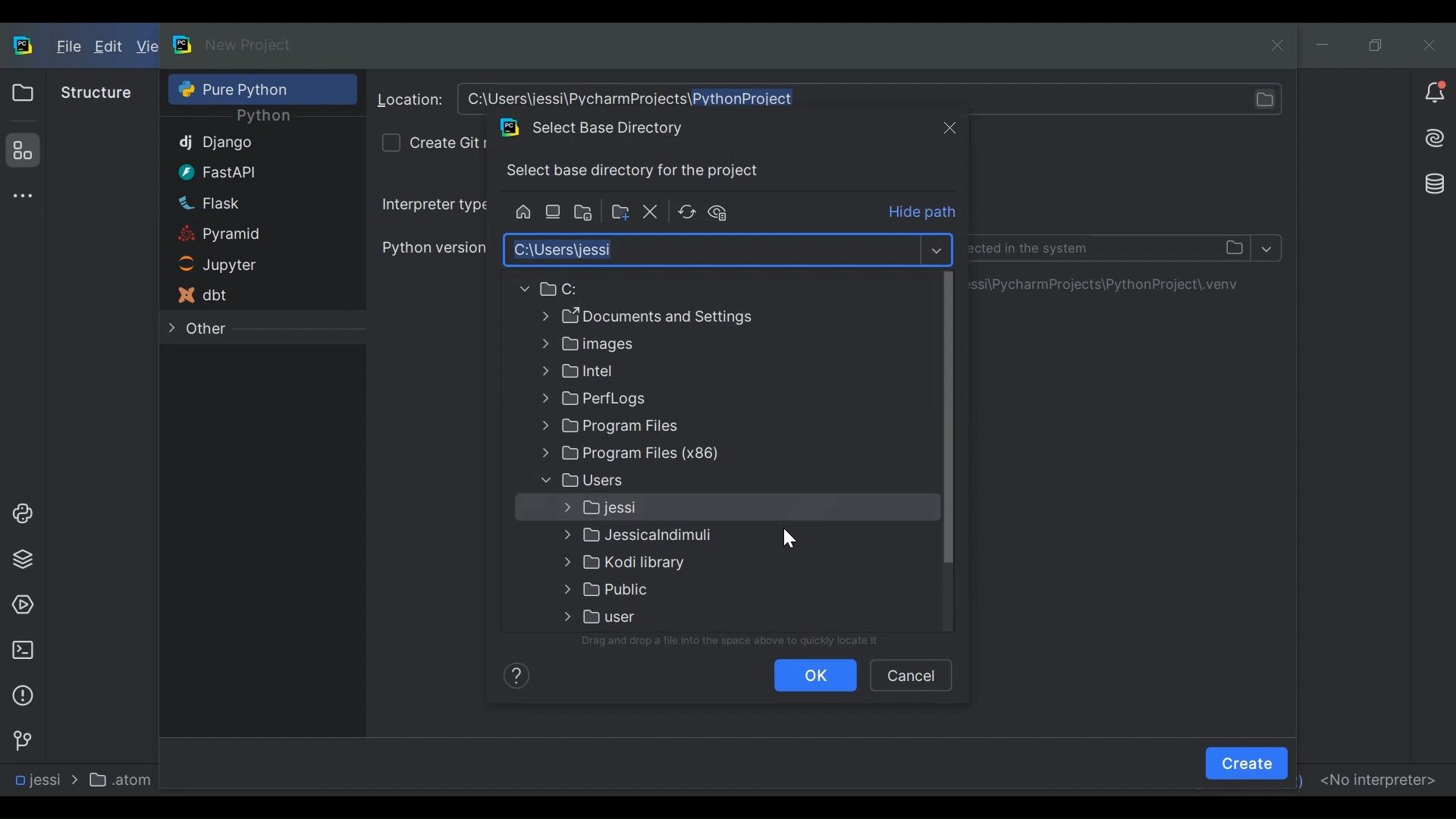 The width and height of the screenshot is (1456, 819). Describe the element at coordinates (737, 641) in the screenshot. I see `Text` at that location.